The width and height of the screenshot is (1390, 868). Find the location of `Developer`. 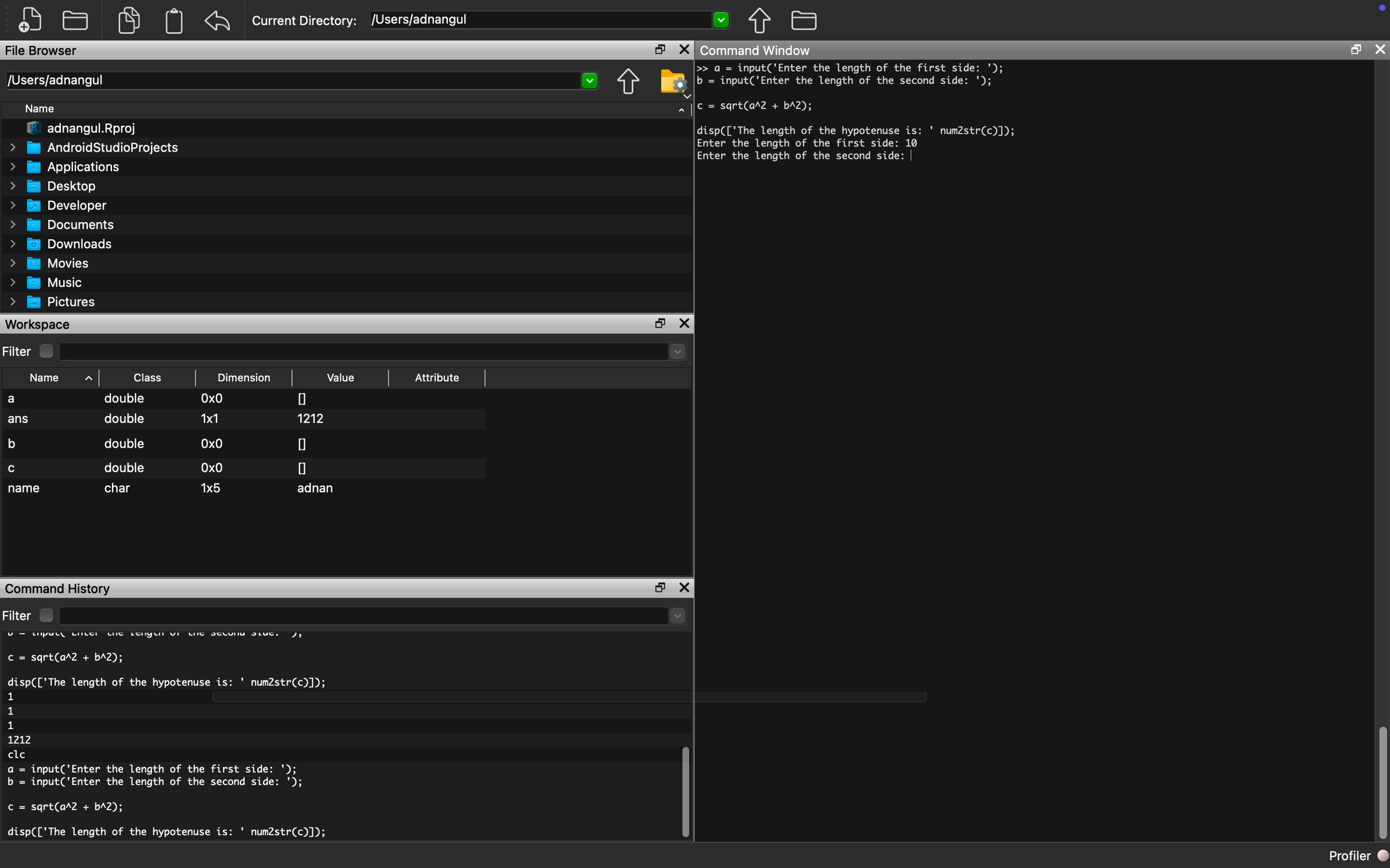

Developer is located at coordinates (63, 205).